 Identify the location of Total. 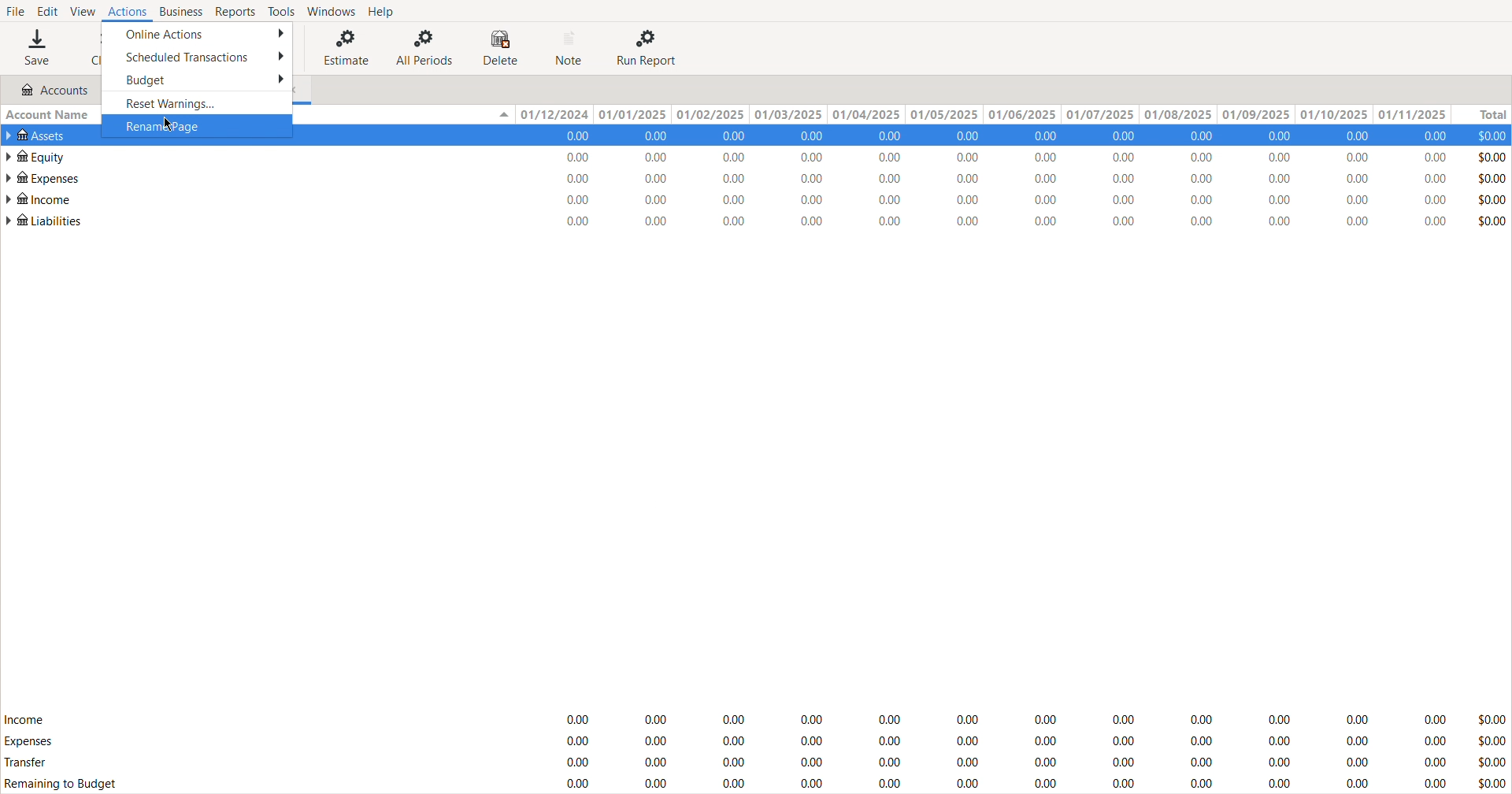
(1480, 115).